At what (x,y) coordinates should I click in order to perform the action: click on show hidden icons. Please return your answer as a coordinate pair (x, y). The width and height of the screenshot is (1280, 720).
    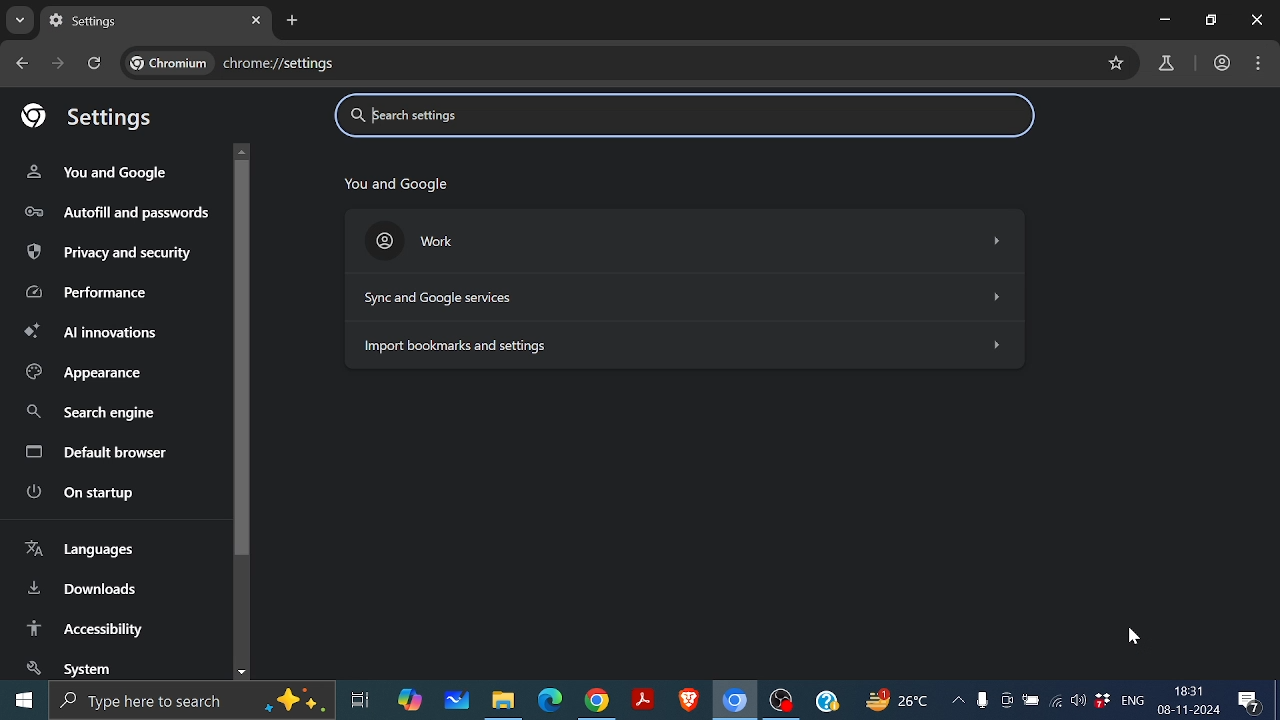
    Looking at the image, I should click on (958, 704).